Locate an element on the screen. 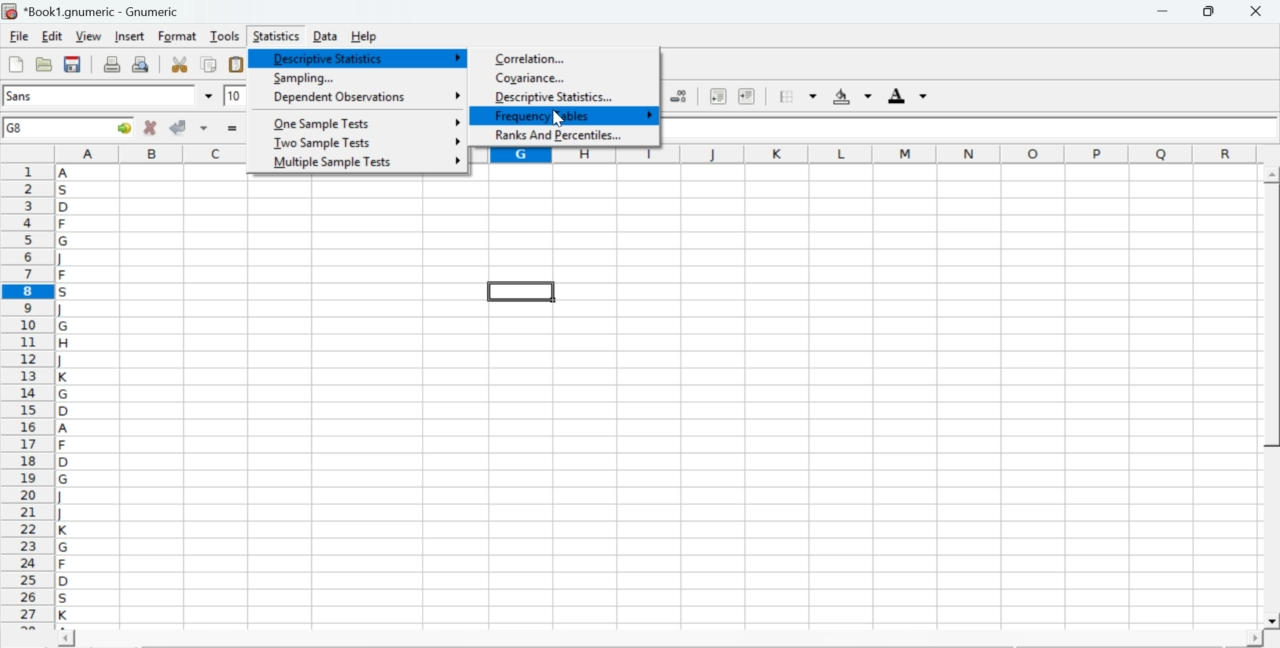 The width and height of the screenshot is (1280, 648). correlation... is located at coordinates (534, 59).